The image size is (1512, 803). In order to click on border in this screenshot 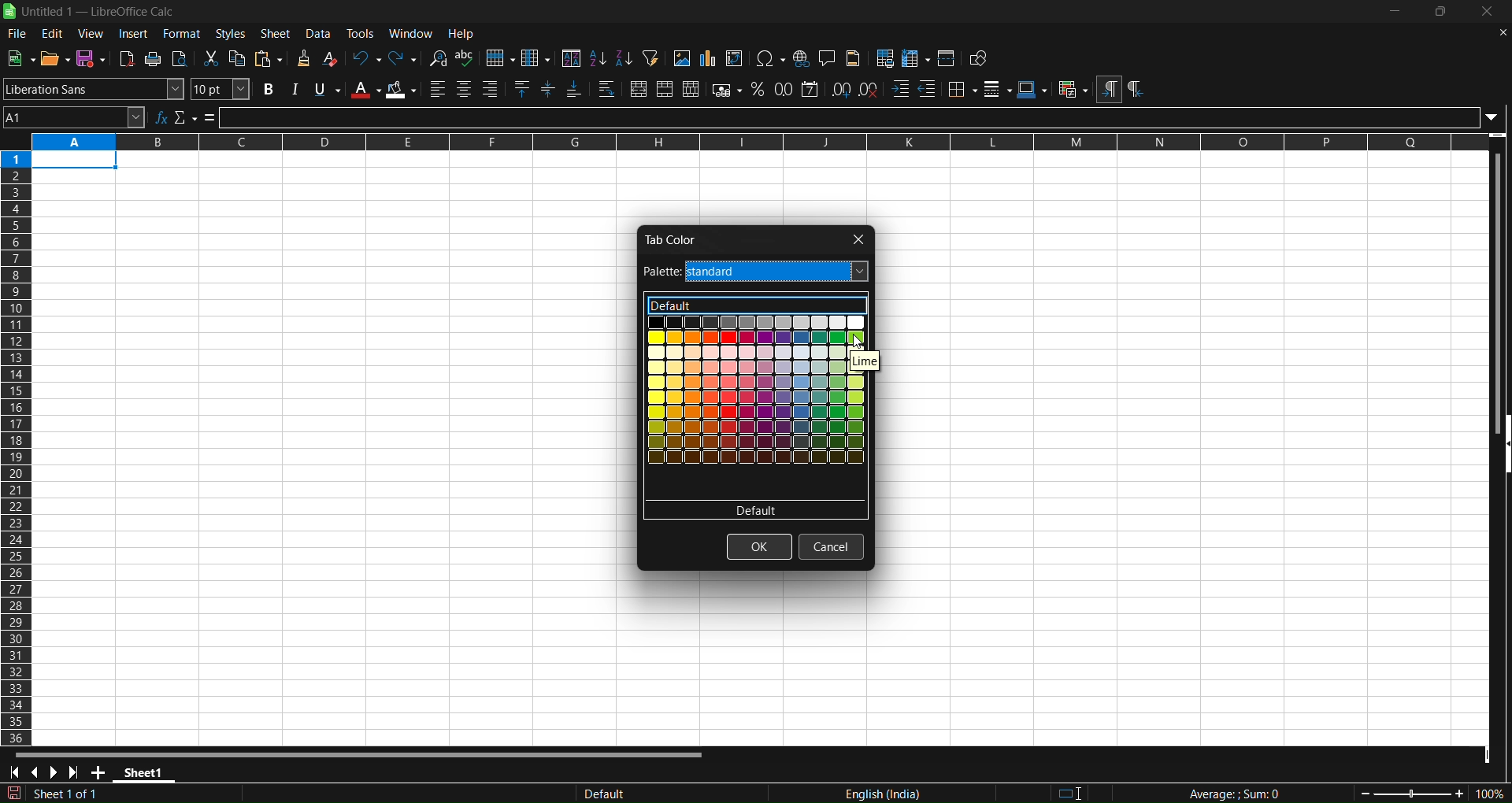, I will do `click(962, 88)`.